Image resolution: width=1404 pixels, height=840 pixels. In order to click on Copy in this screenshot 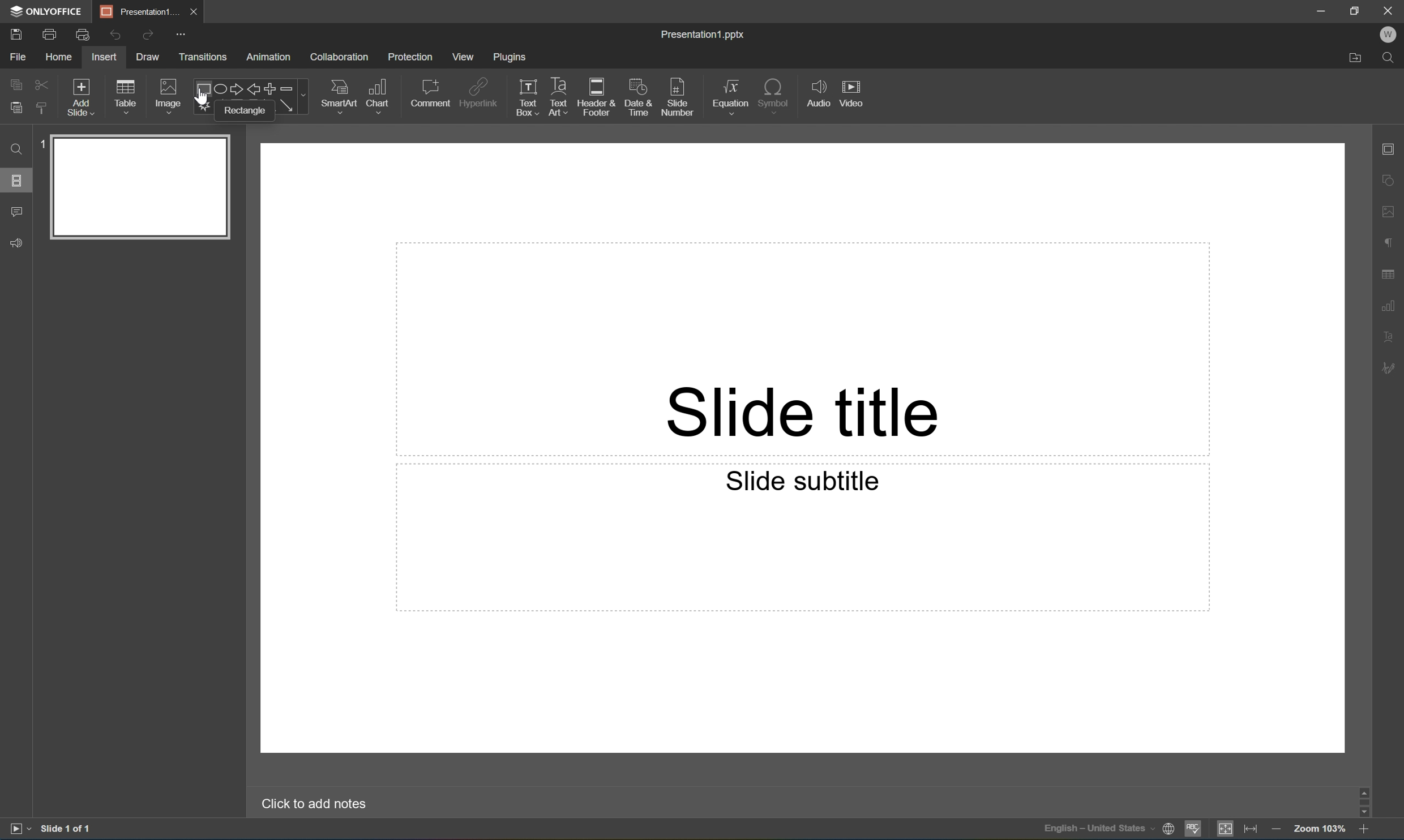, I will do `click(17, 83)`.